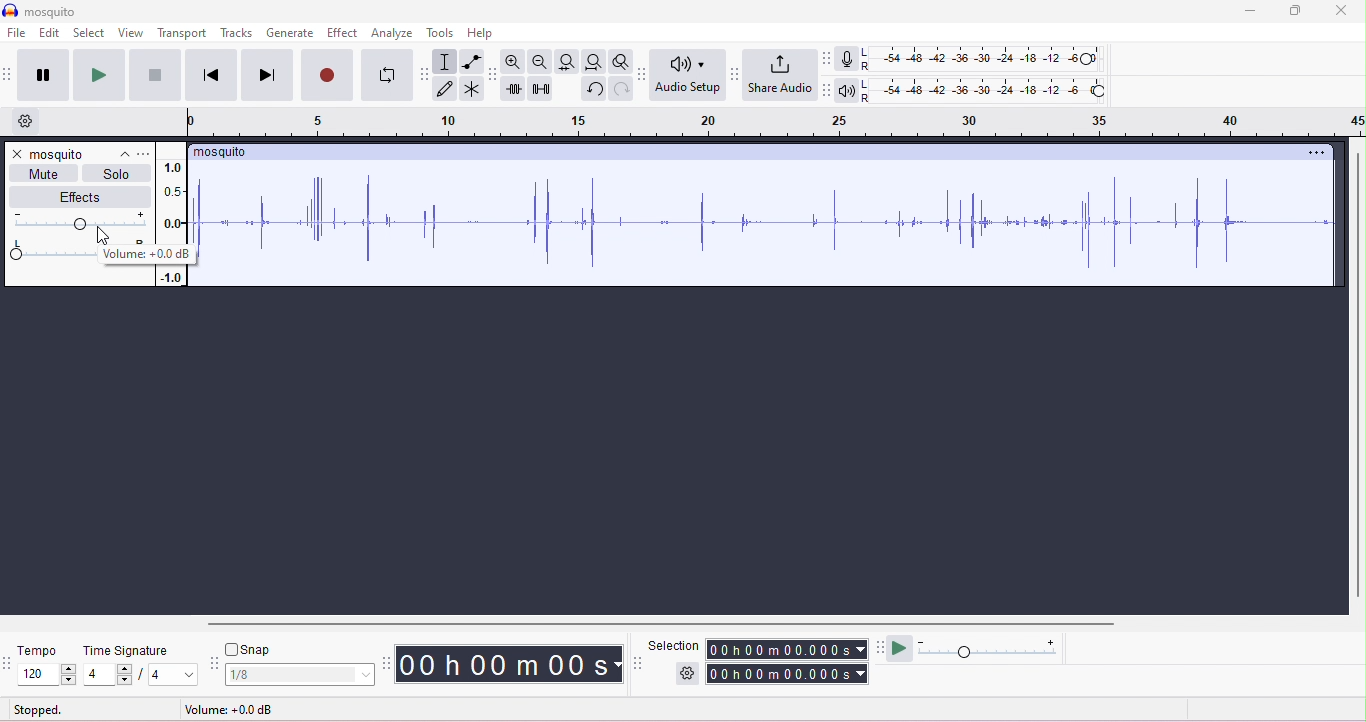  Describe the element at coordinates (152, 75) in the screenshot. I see `stop` at that location.